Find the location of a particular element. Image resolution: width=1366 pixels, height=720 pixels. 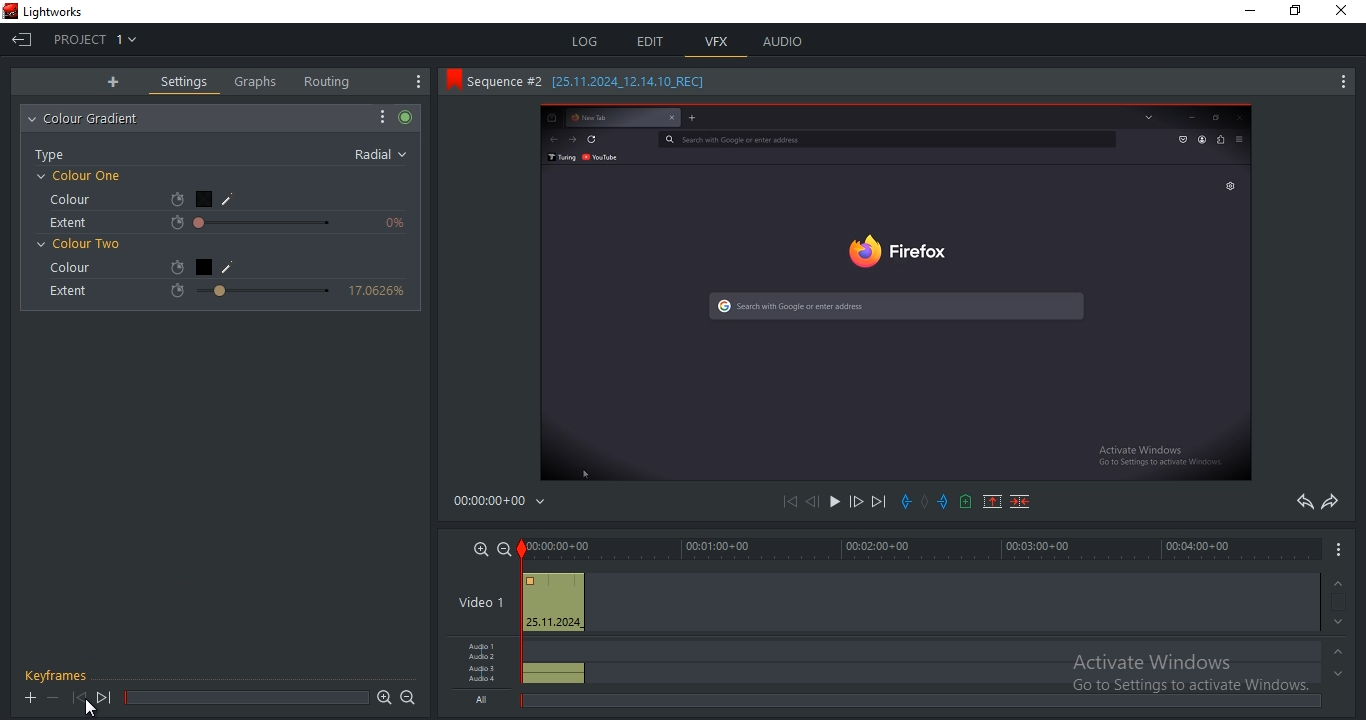

Percentage slider is located at coordinates (260, 294).